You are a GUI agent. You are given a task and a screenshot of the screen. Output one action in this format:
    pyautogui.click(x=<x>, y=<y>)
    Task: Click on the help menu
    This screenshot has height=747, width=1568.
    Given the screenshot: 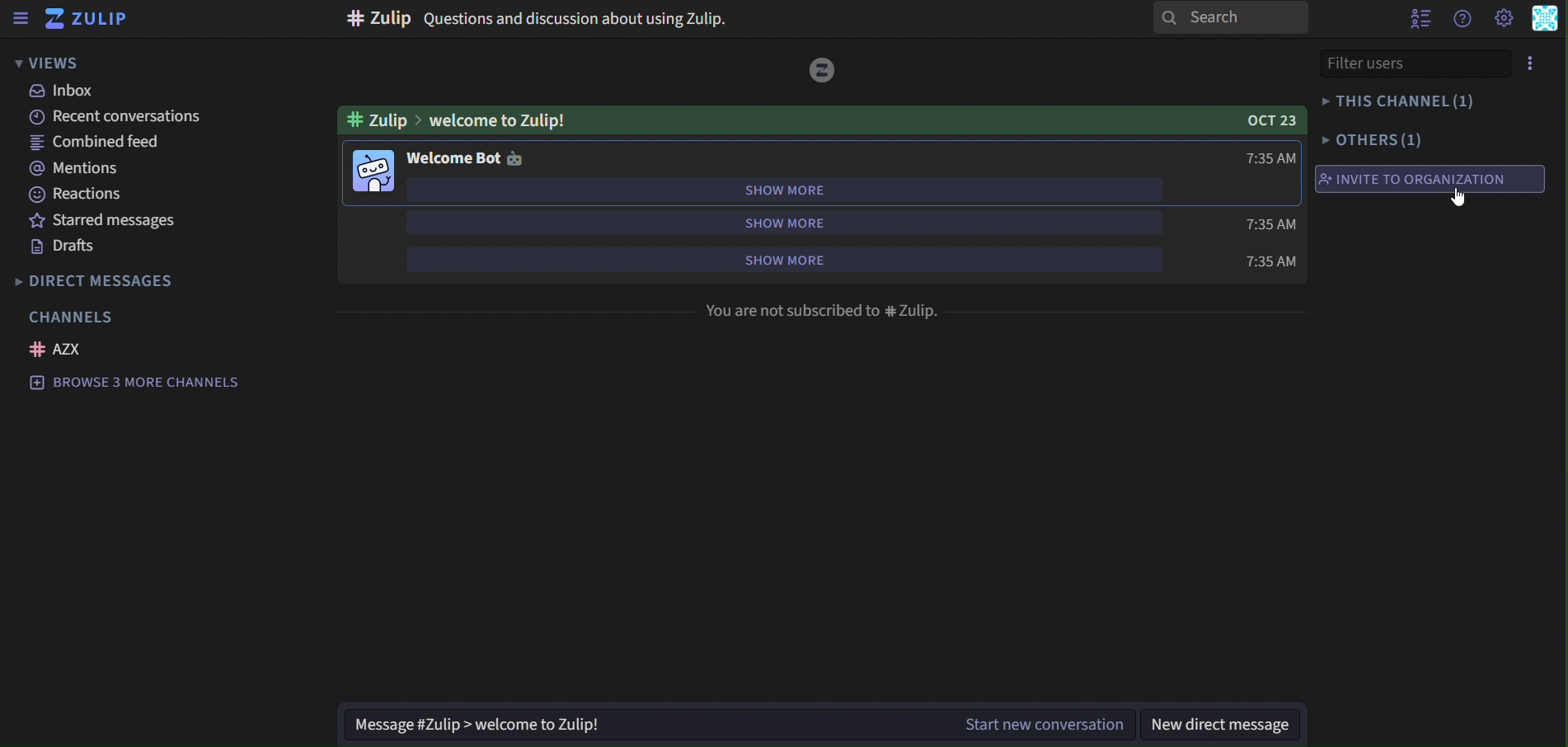 What is the action you would take?
    pyautogui.click(x=1463, y=19)
    